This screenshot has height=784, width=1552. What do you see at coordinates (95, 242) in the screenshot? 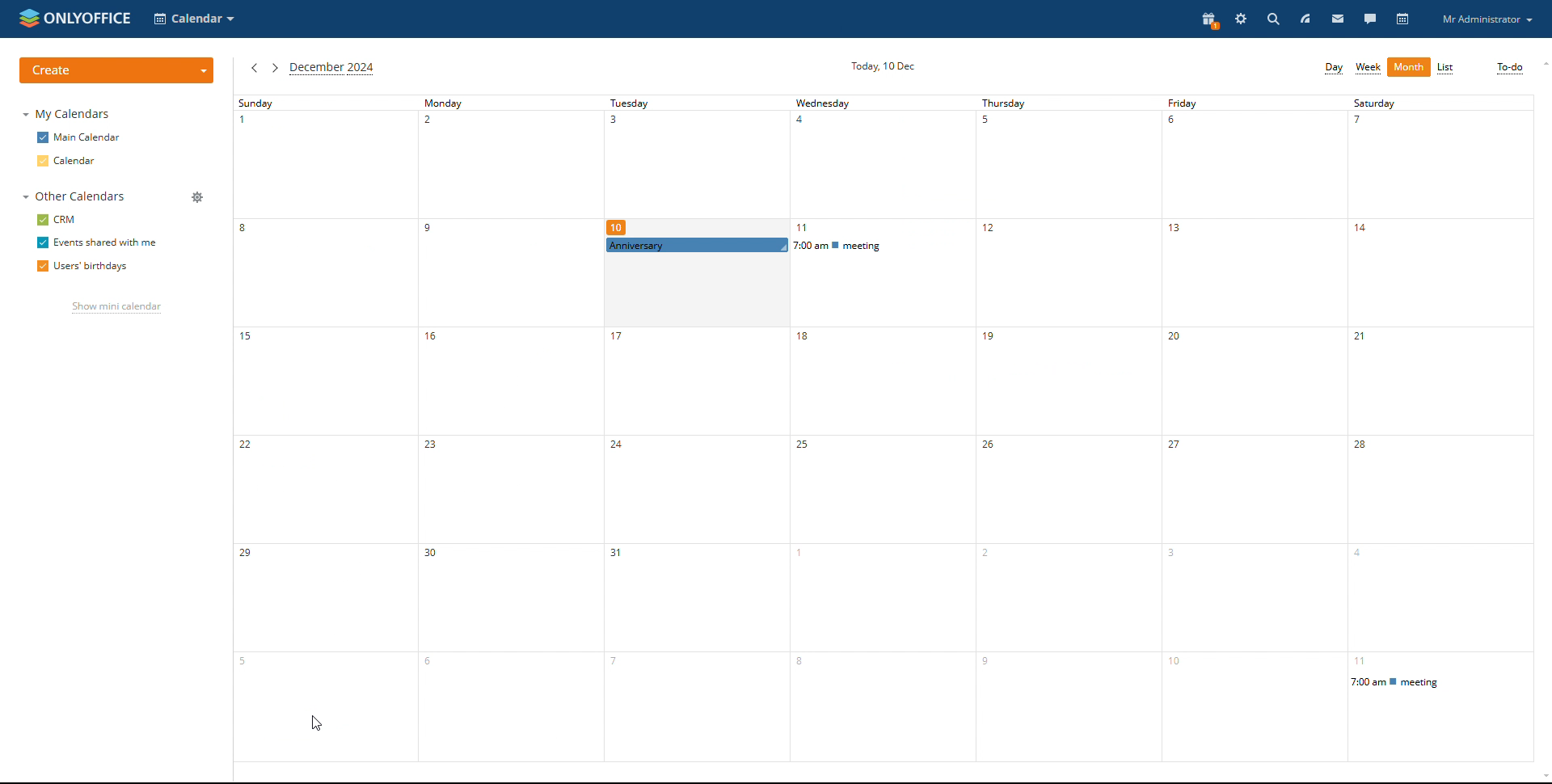
I see `events shared with me` at bounding box center [95, 242].